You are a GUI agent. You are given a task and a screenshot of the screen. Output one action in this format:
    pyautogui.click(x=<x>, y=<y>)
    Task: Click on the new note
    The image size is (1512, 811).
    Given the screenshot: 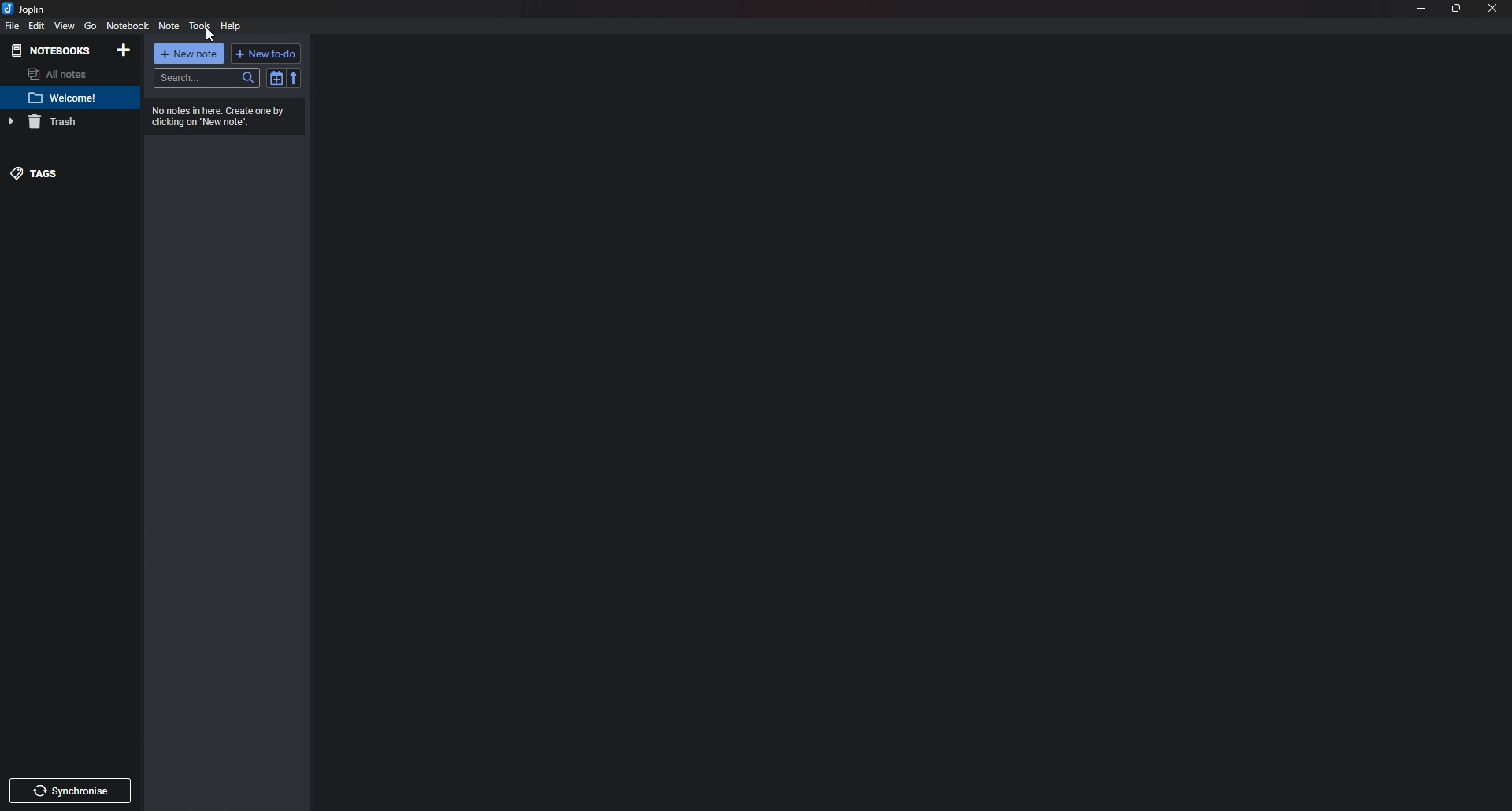 What is the action you would take?
    pyautogui.click(x=190, y=54)
    